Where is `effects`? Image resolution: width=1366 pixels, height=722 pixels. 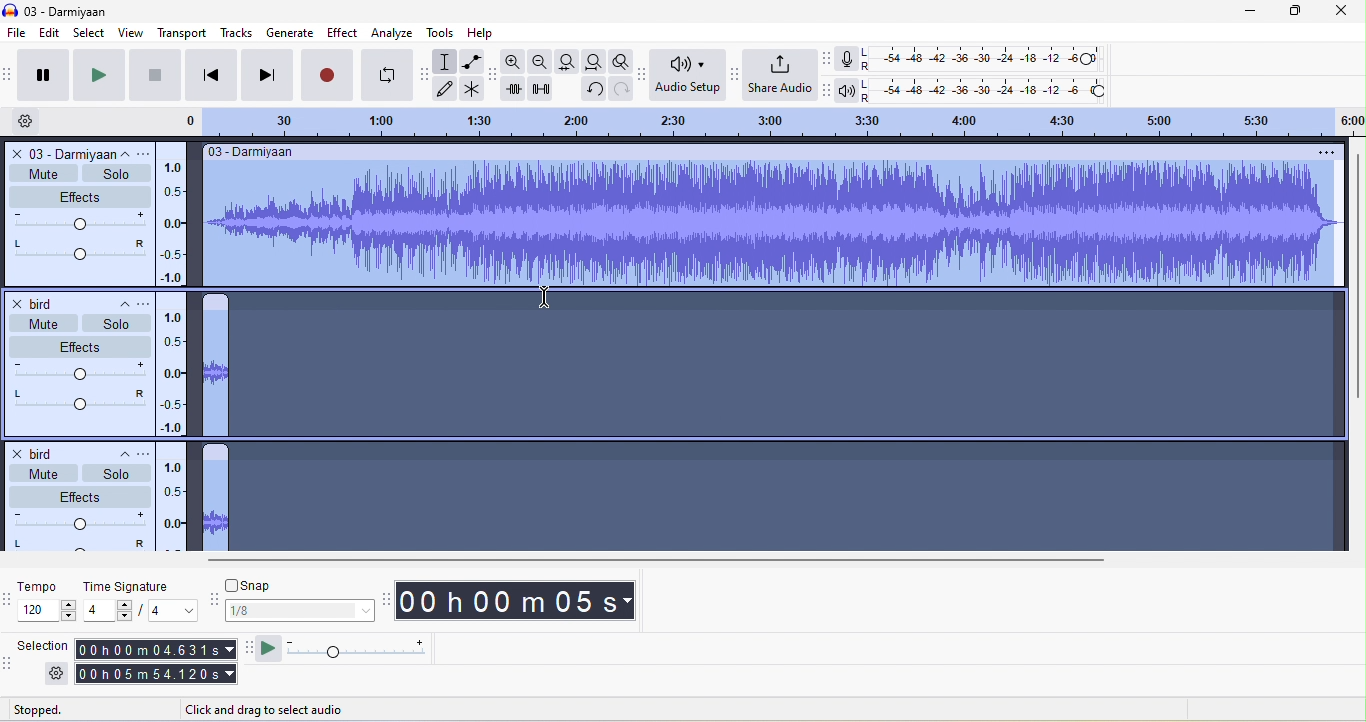
effects is located at coordinates (81, 495).